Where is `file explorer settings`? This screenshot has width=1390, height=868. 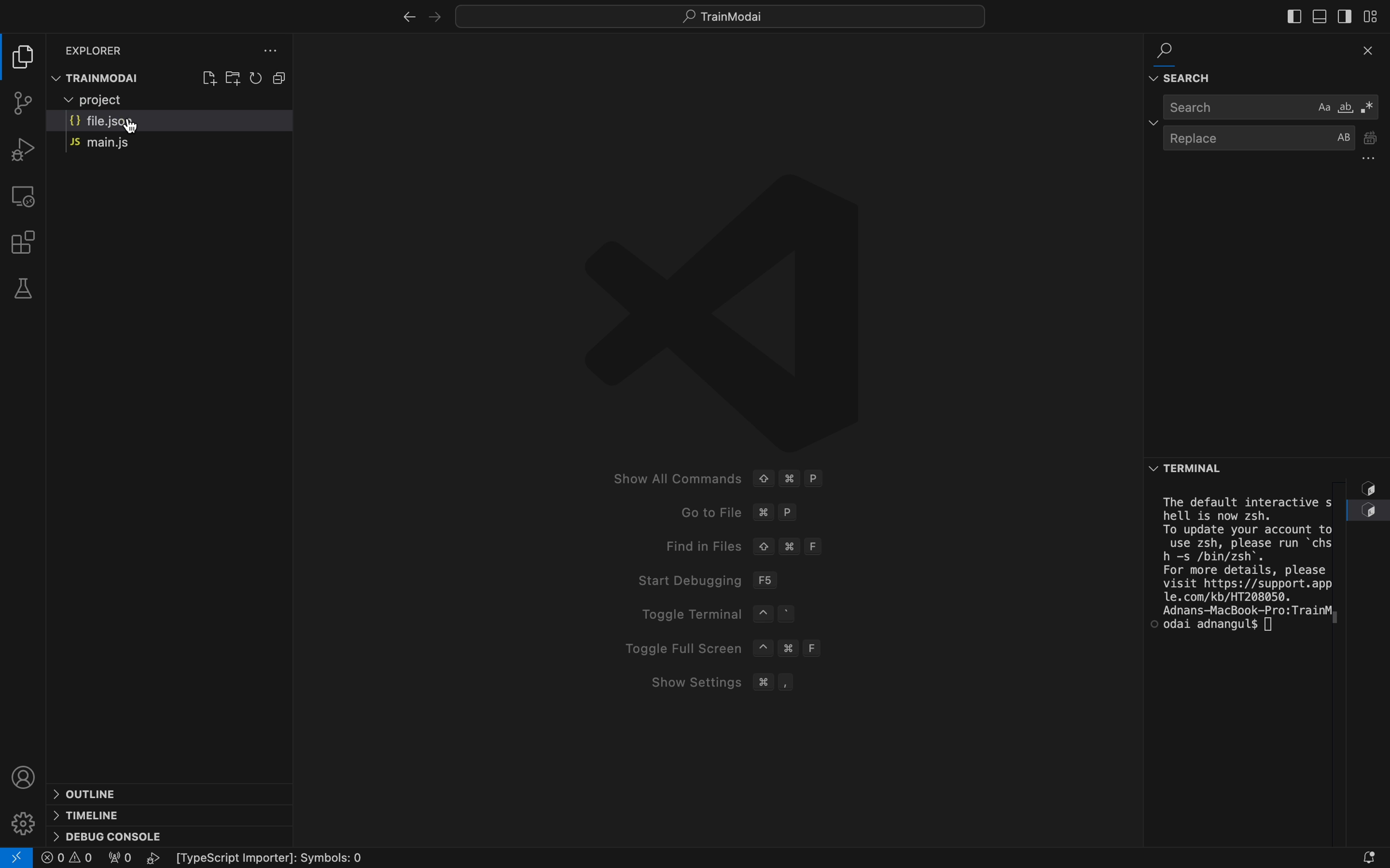
file explorer settings is located at coordinates (268, 51).